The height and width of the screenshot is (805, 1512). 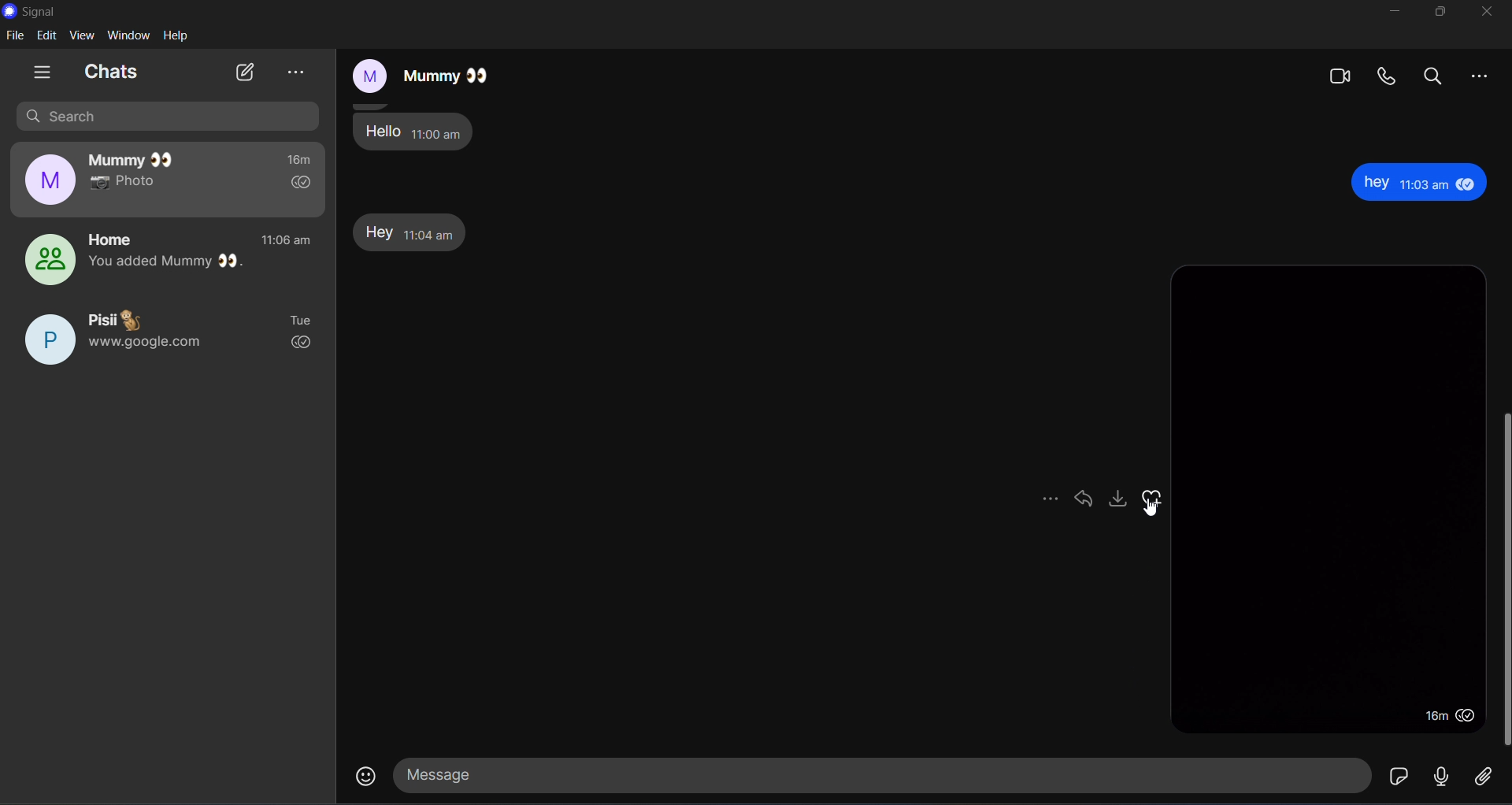 I want to click on home group chat, so click(x=165, y=260).